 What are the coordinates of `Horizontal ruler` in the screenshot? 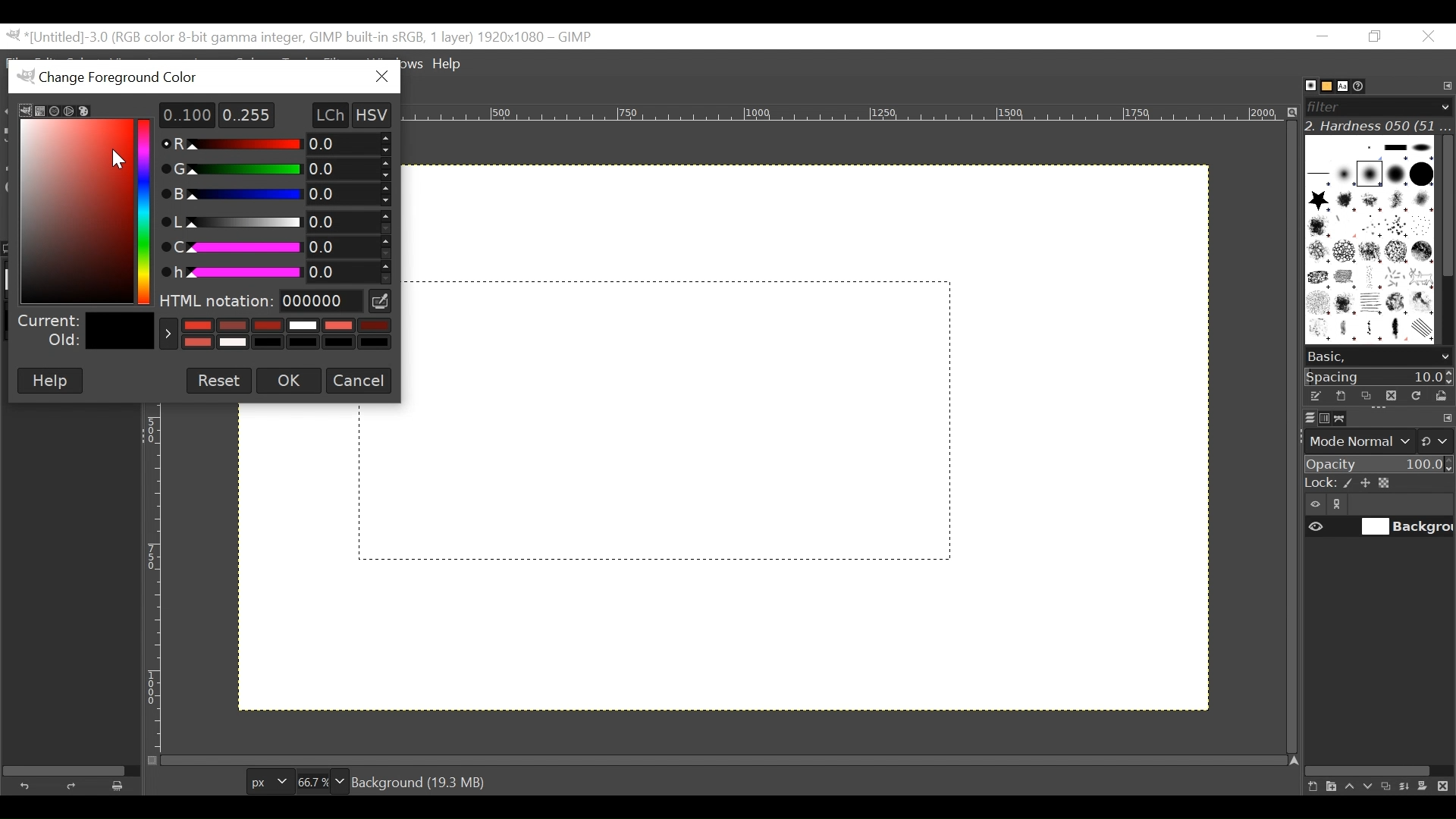 It's located at (849, 116).